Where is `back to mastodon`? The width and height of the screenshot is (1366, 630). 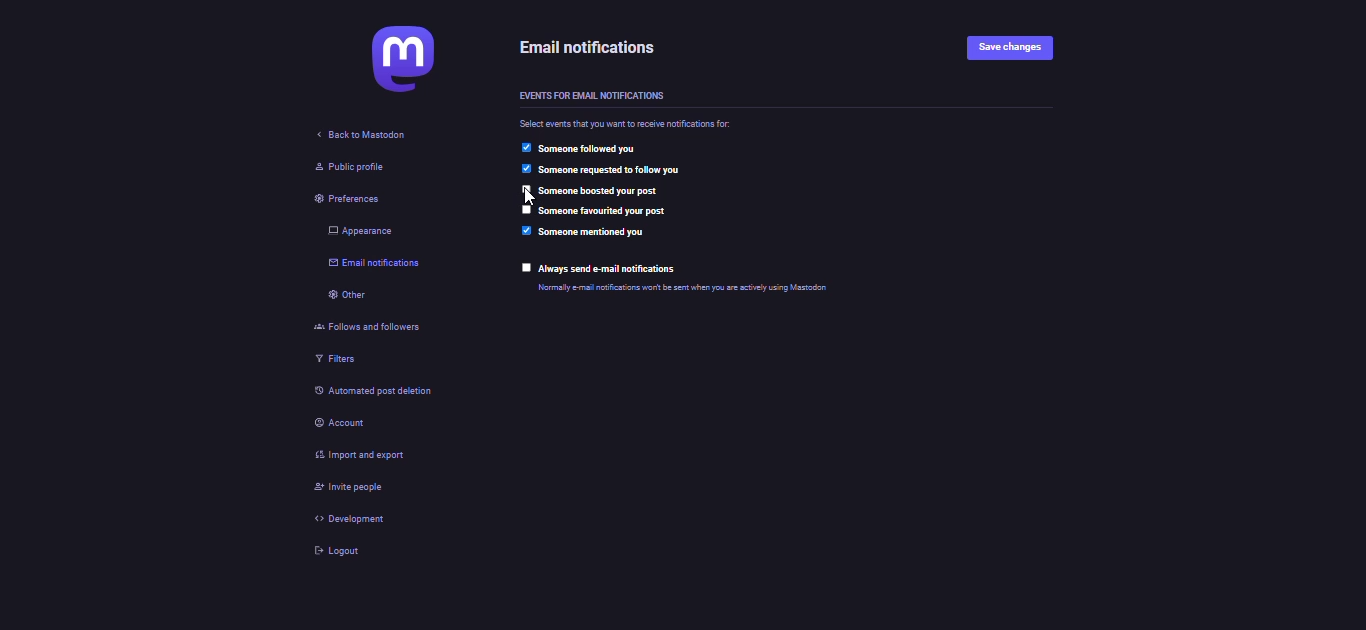
back to mastodon is located at coordinates (357, 135).